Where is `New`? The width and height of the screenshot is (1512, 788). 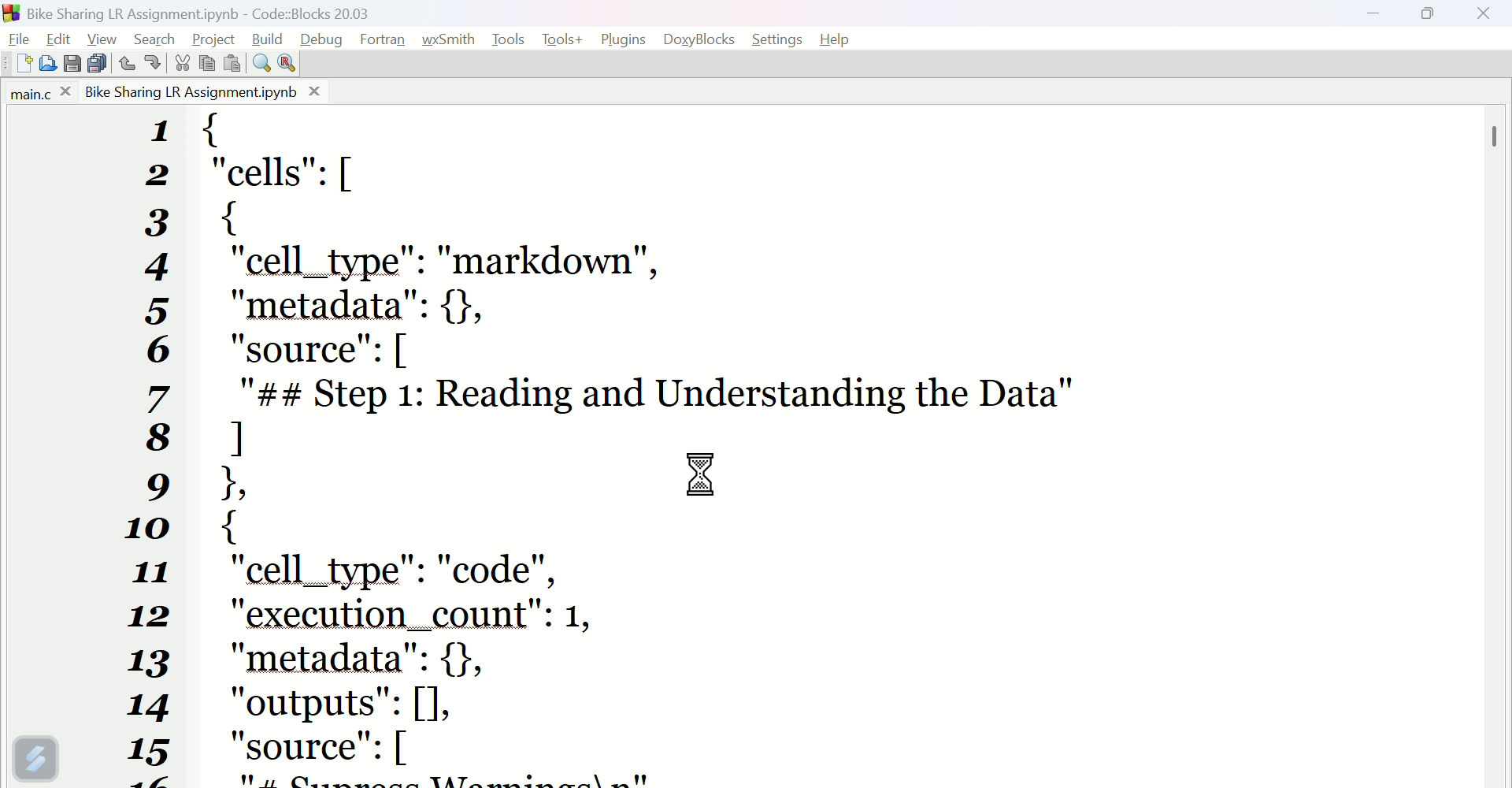
New is located at coordinates (18, 65).